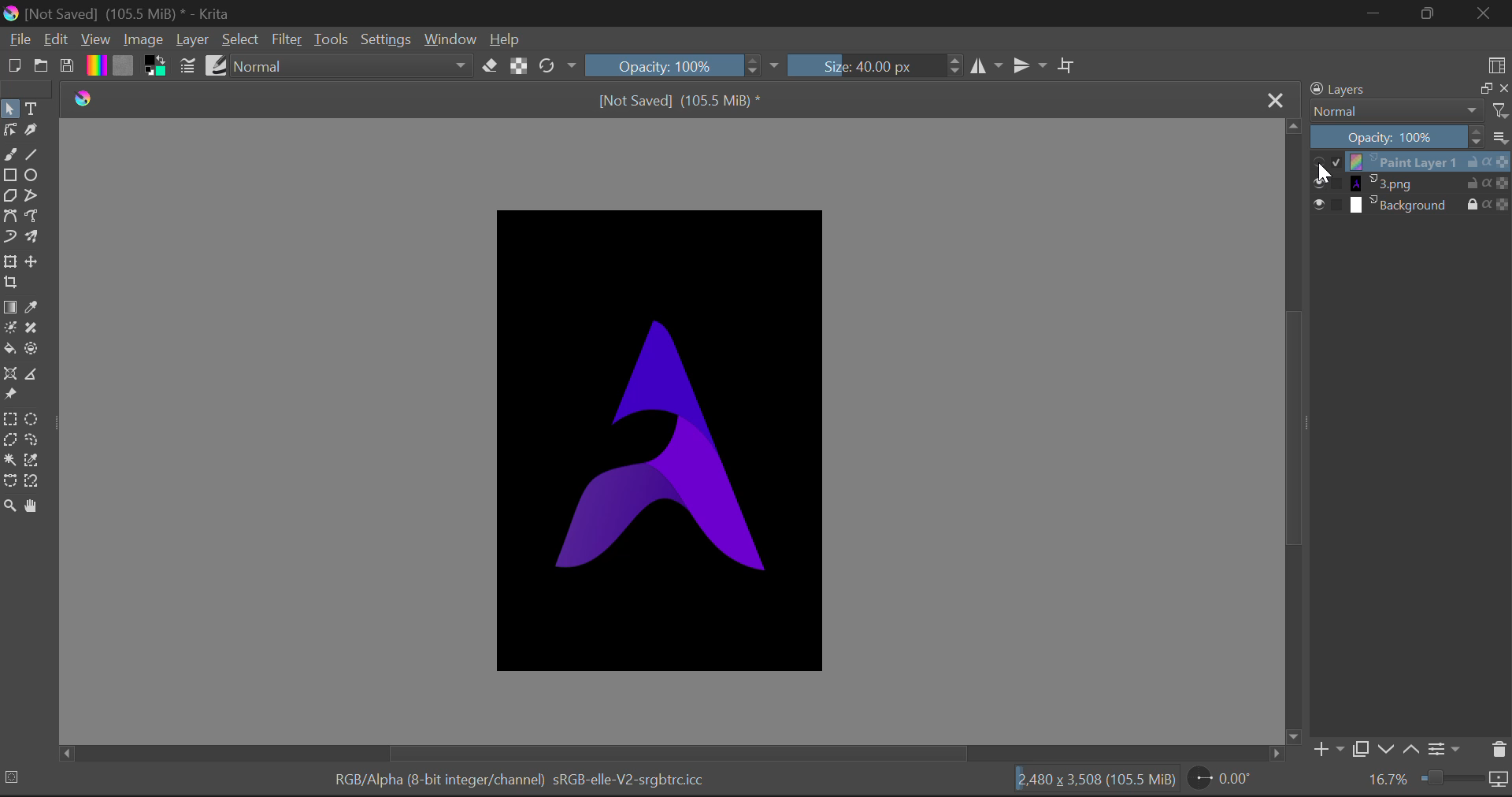 This screenshot has height=797, width=1512. Describe the element at coordinates (11, 307) in the screenshot. I see `Gradient Fill` at that location.